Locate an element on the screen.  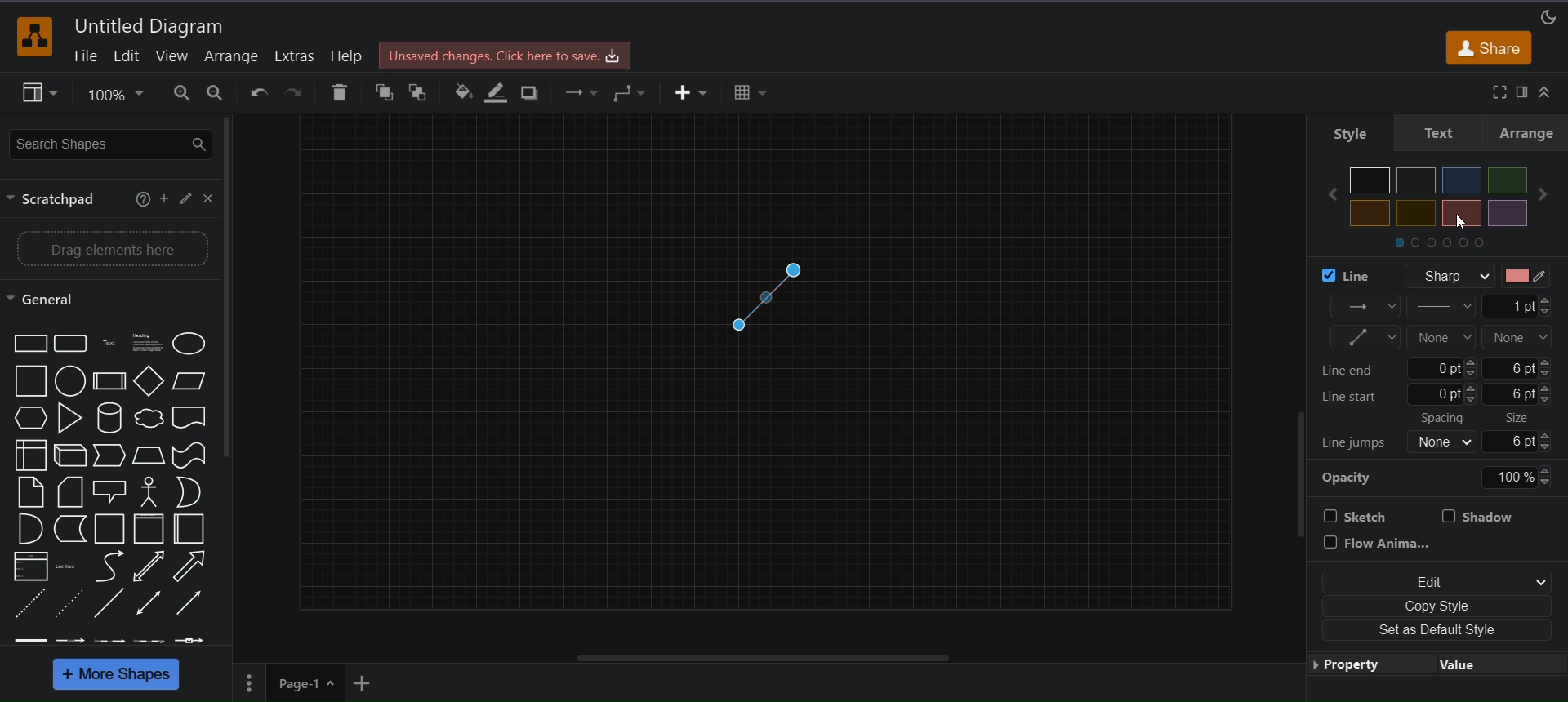
zoom is located at coordinates (116, 96).